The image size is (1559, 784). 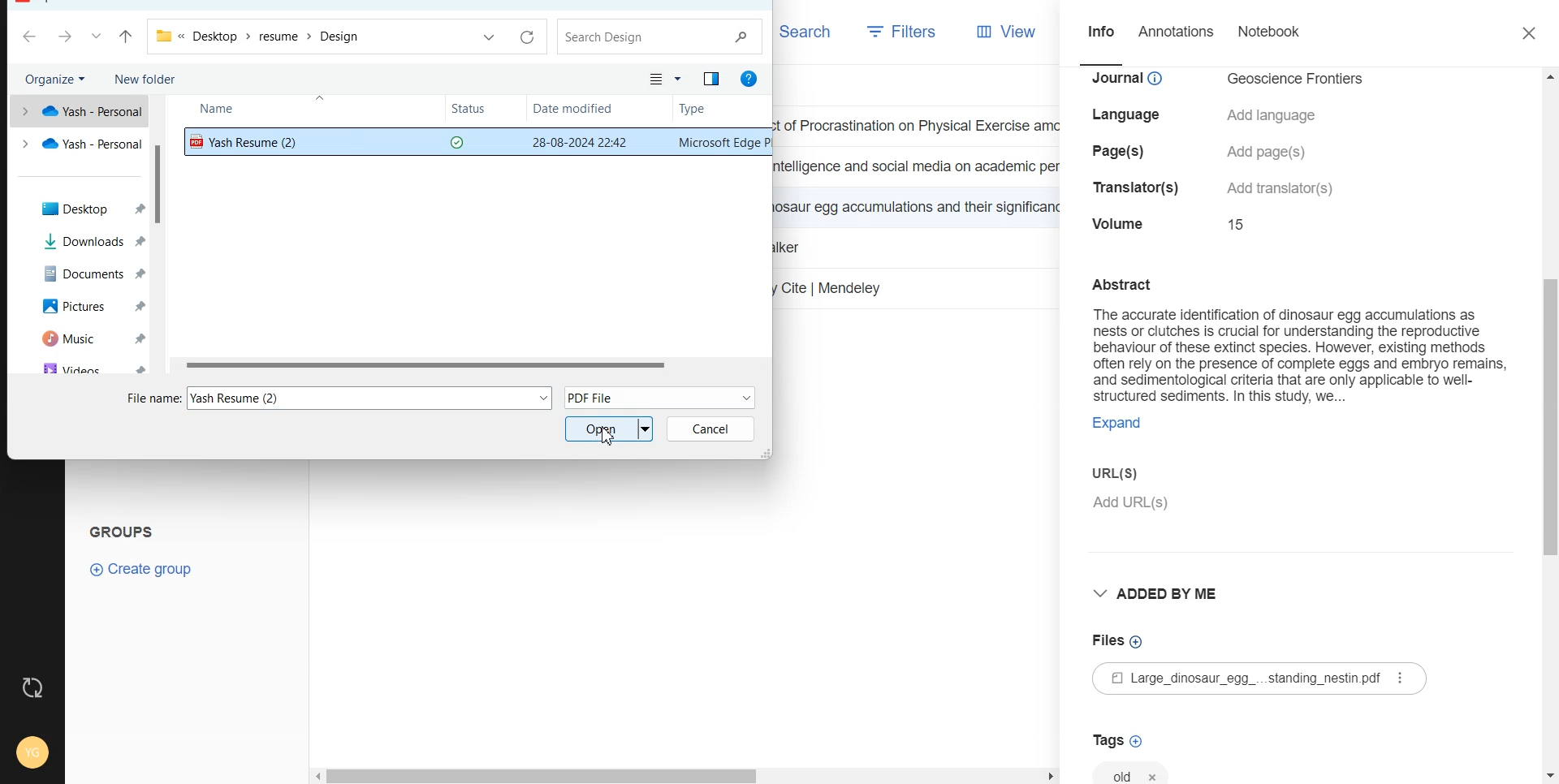 I want to click on Cursor, so click(x=607, y=436).